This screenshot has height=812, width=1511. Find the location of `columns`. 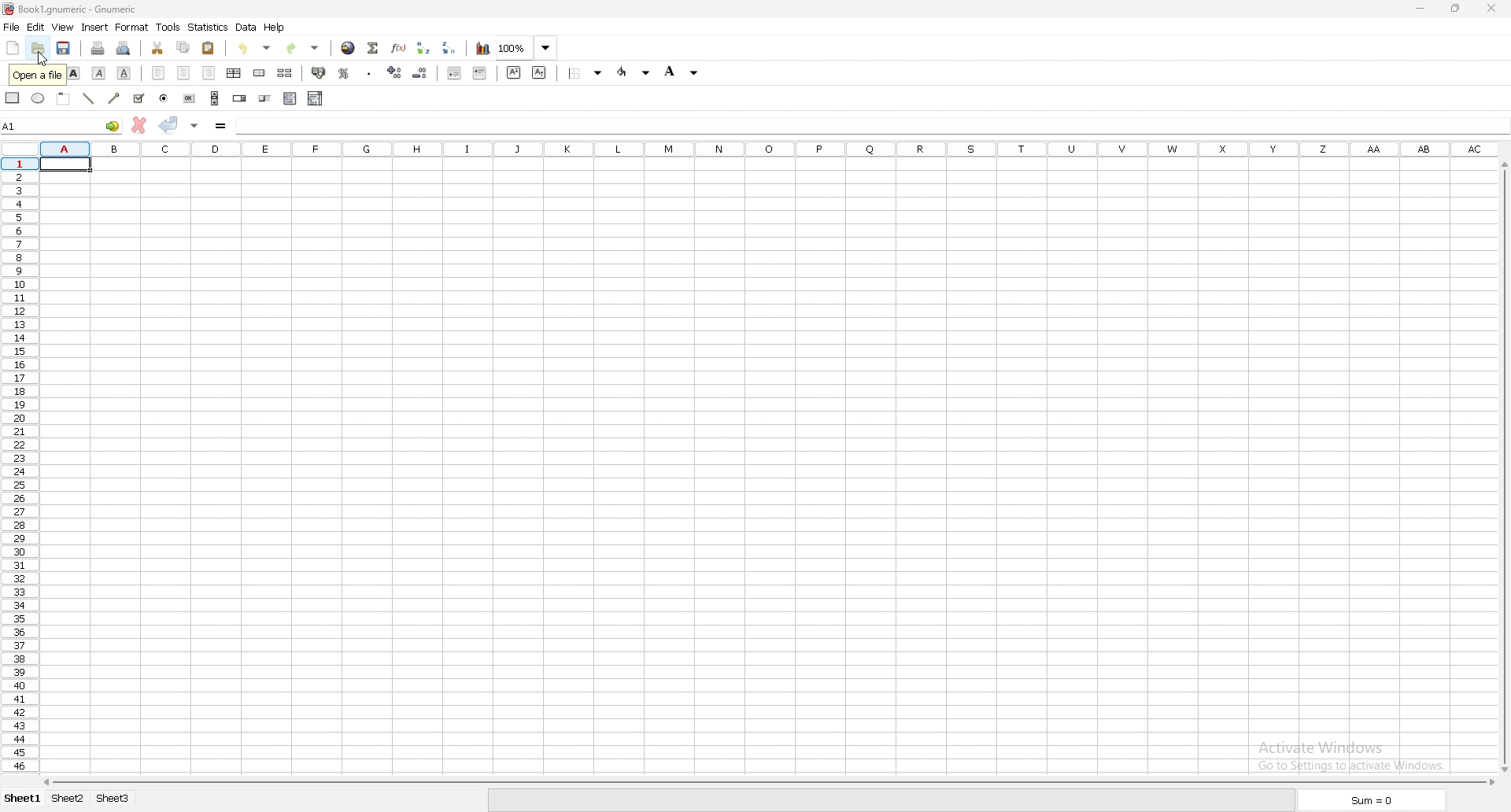

columns is located at coordinates (752, 149).